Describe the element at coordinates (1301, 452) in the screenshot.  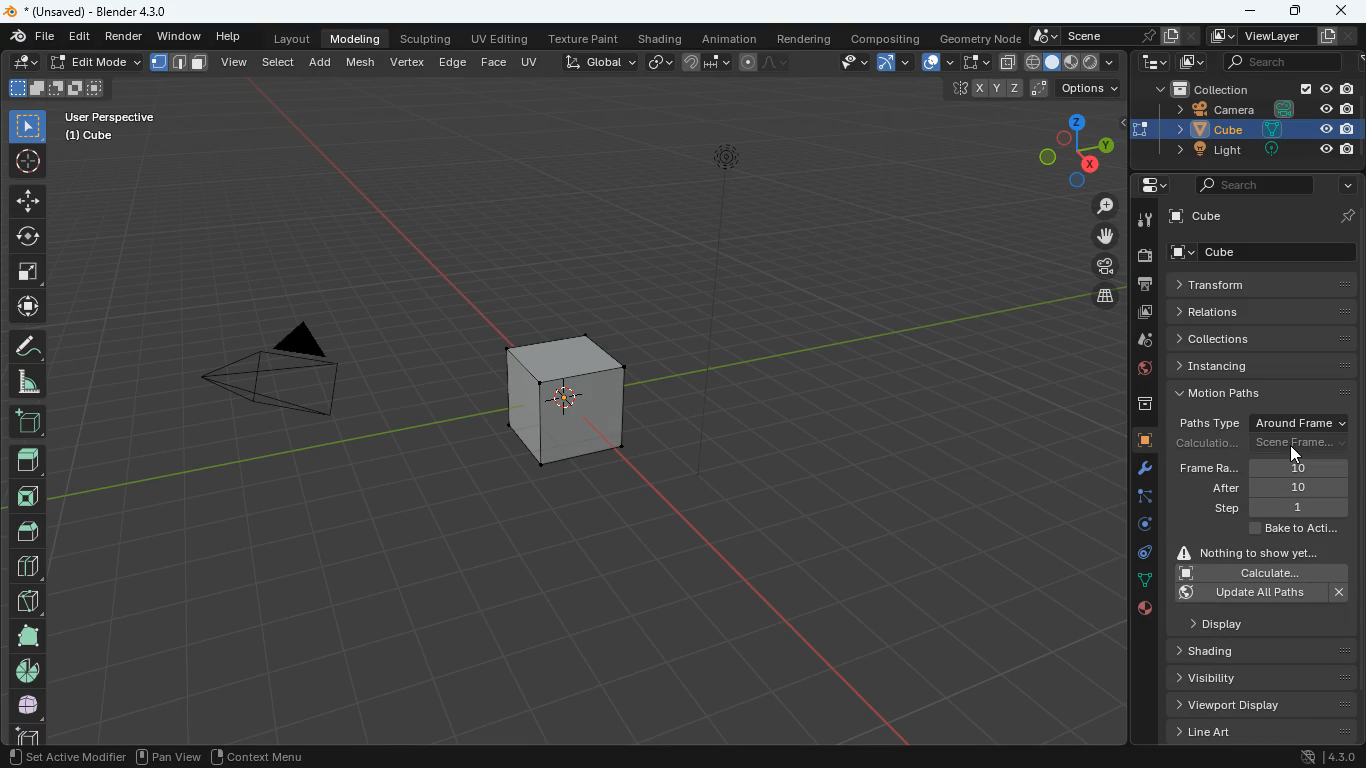
I see `cursor` at that location.